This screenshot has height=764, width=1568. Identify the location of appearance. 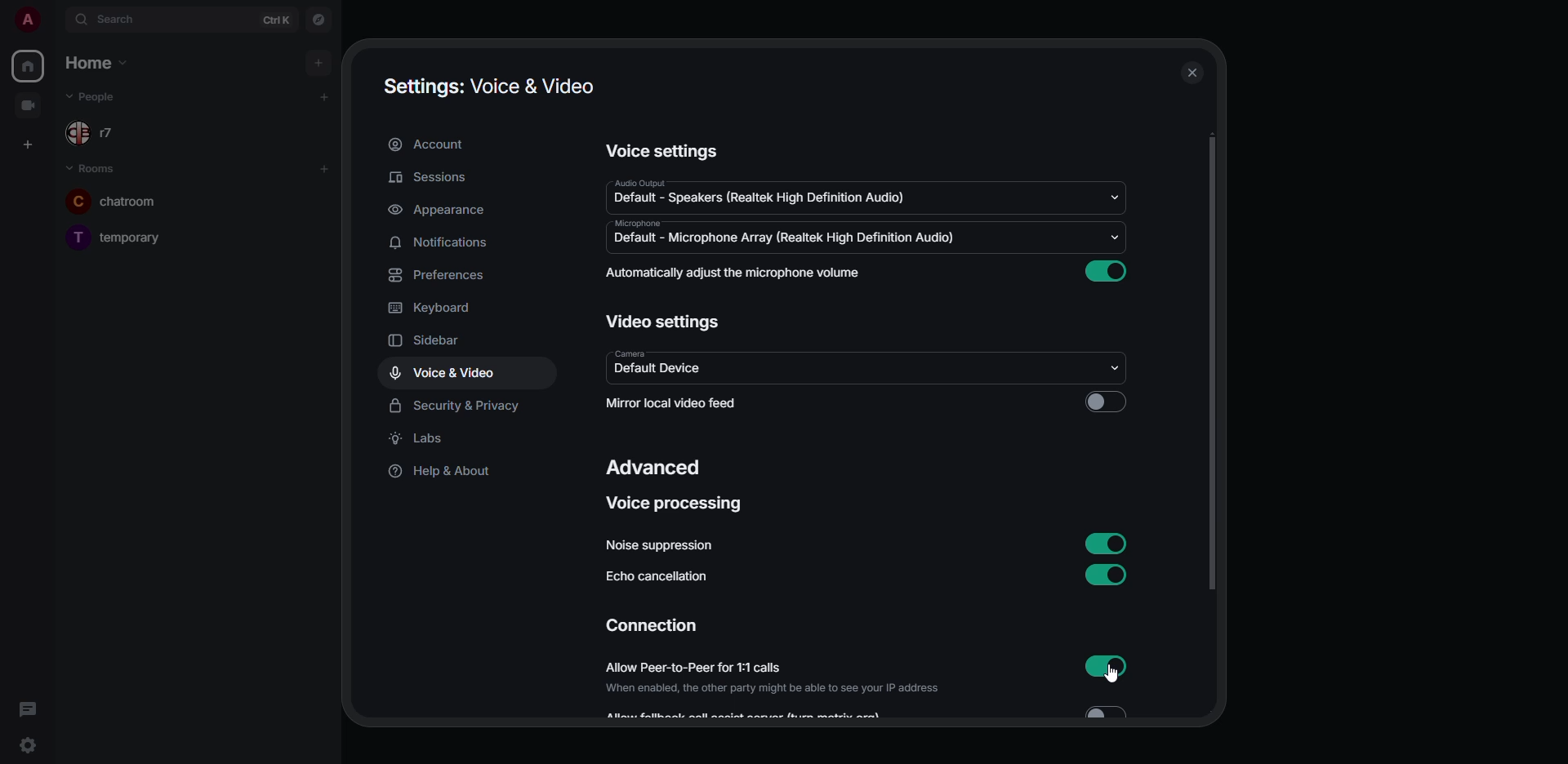
(441, 211).